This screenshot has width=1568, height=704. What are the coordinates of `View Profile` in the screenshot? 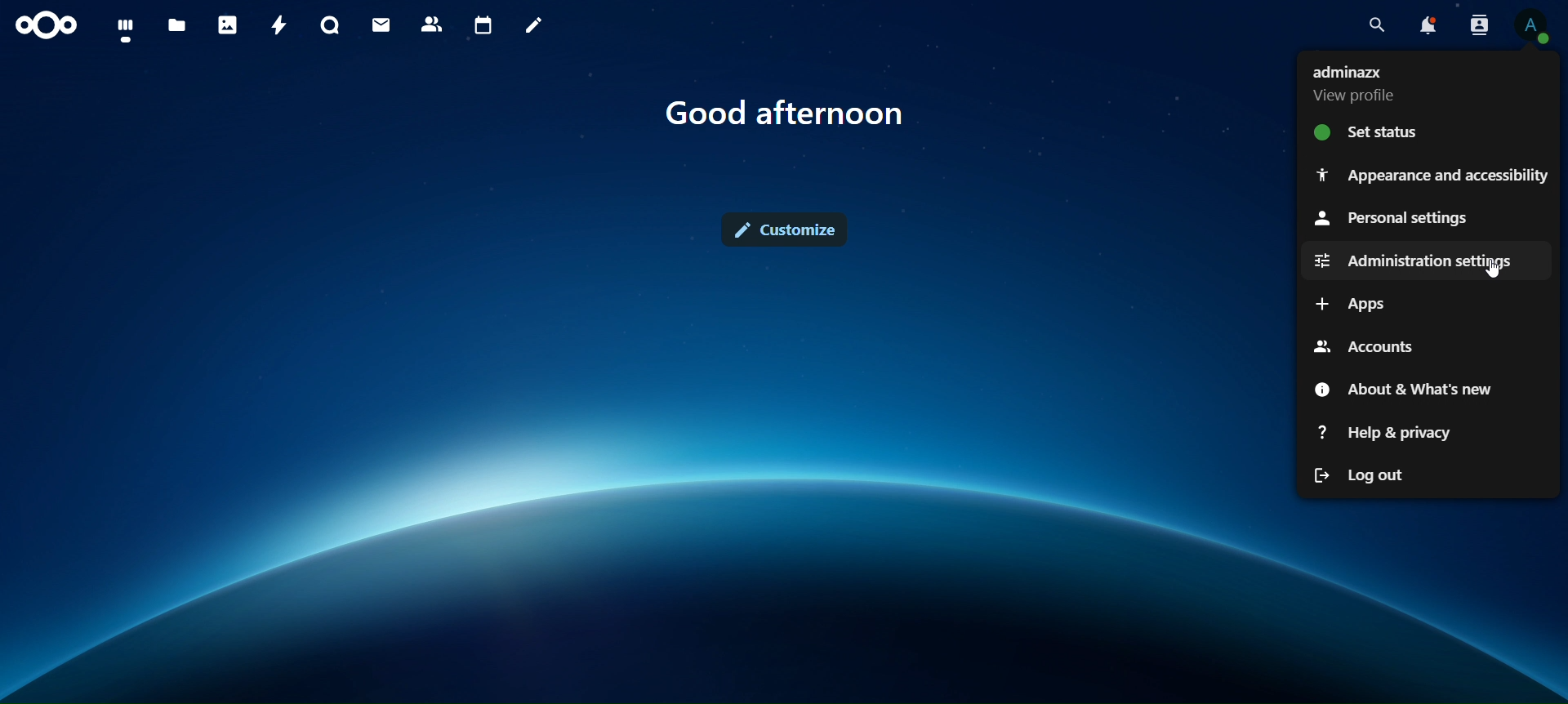 It's located at (1535, 29).